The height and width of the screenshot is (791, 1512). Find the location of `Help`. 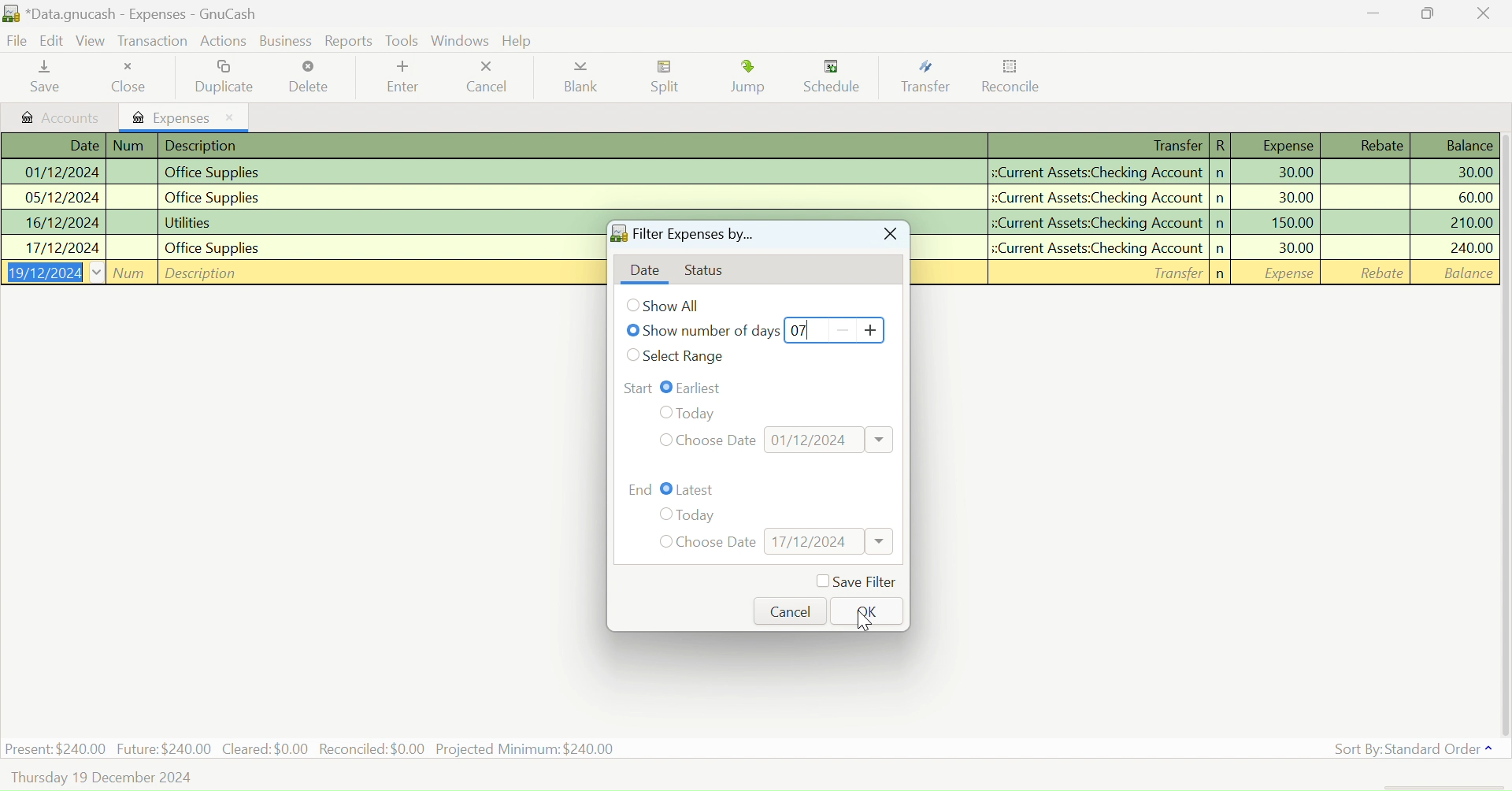

Help is located at coordinates (520, 41).